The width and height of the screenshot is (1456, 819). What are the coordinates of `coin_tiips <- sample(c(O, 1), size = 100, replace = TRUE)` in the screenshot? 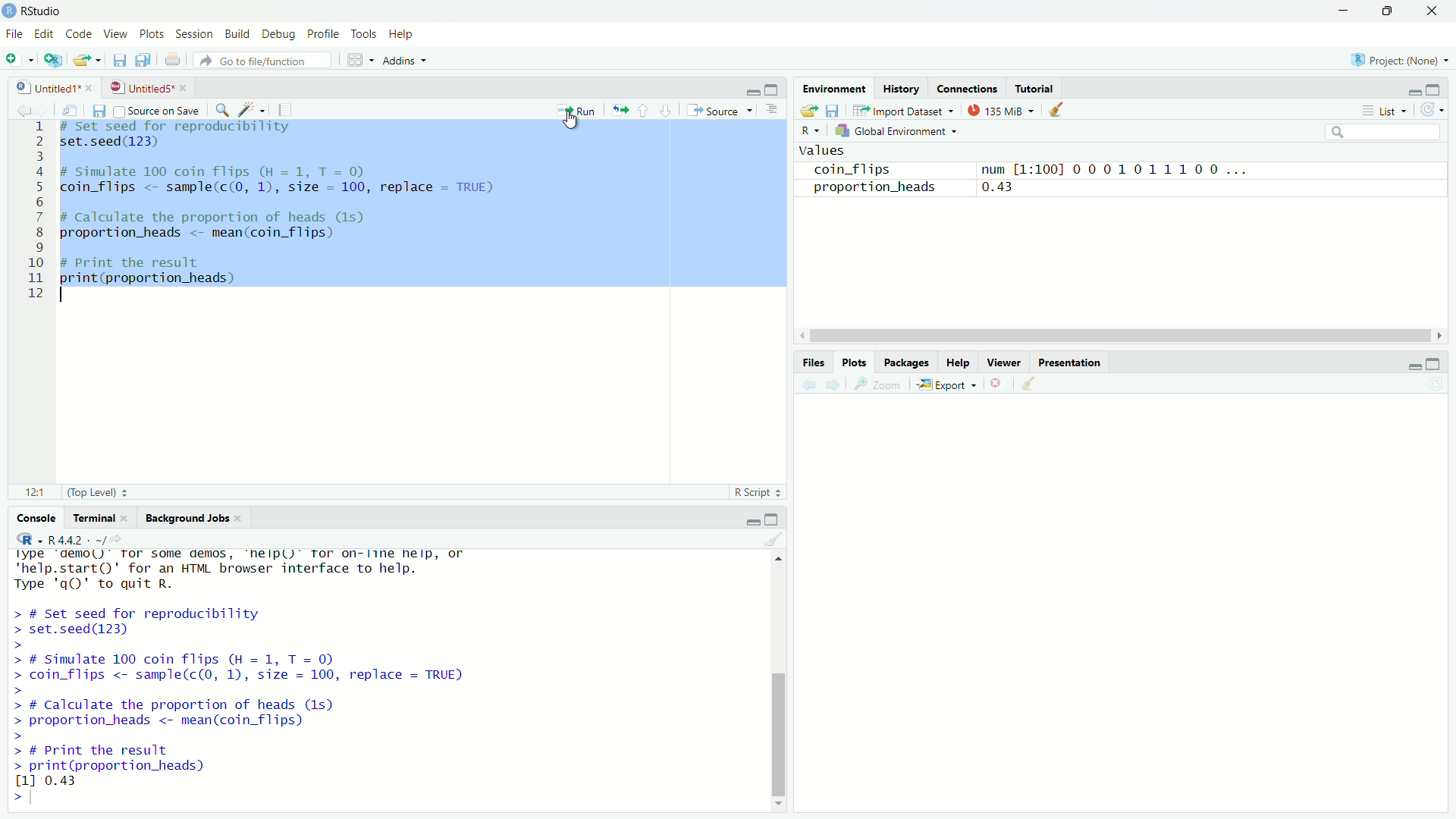 It's located at (286, 188).